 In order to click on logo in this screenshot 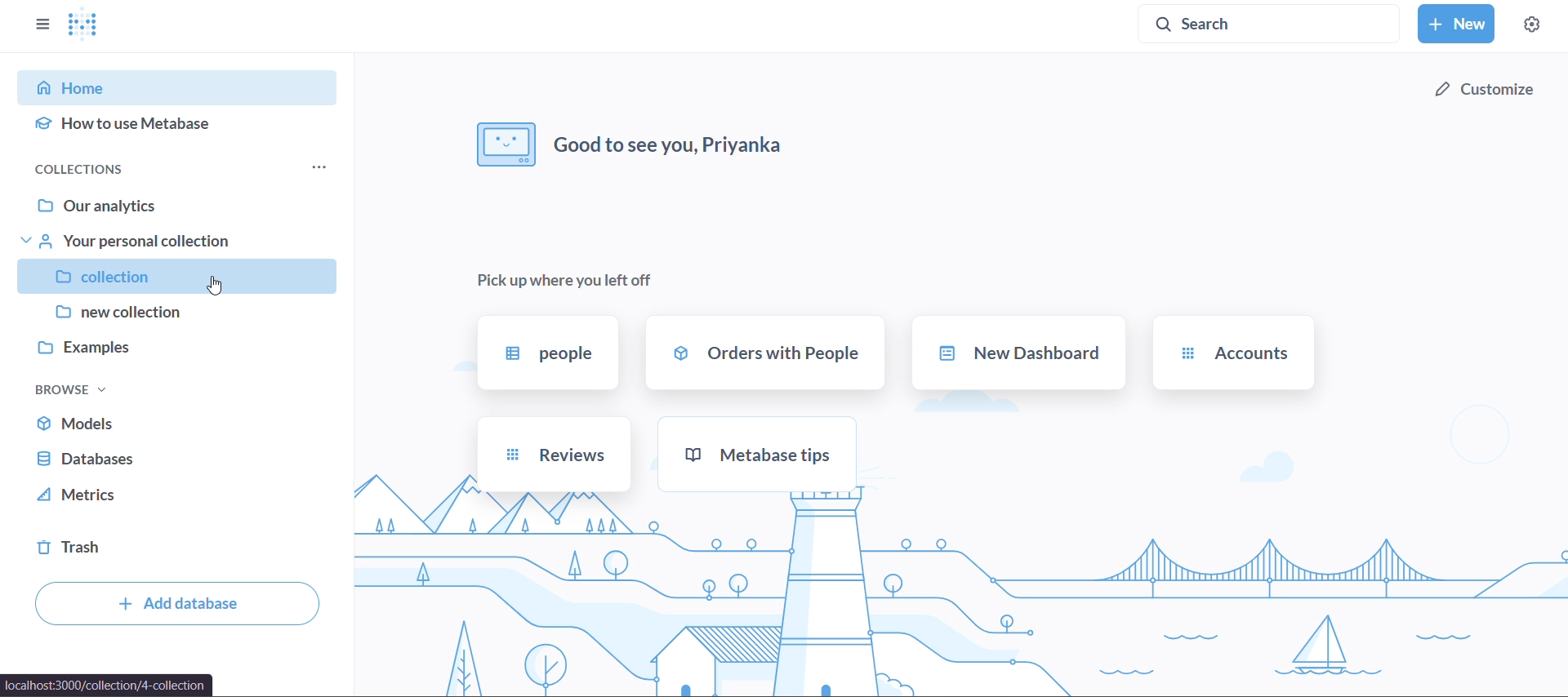, I will do `click(83, 26)`.